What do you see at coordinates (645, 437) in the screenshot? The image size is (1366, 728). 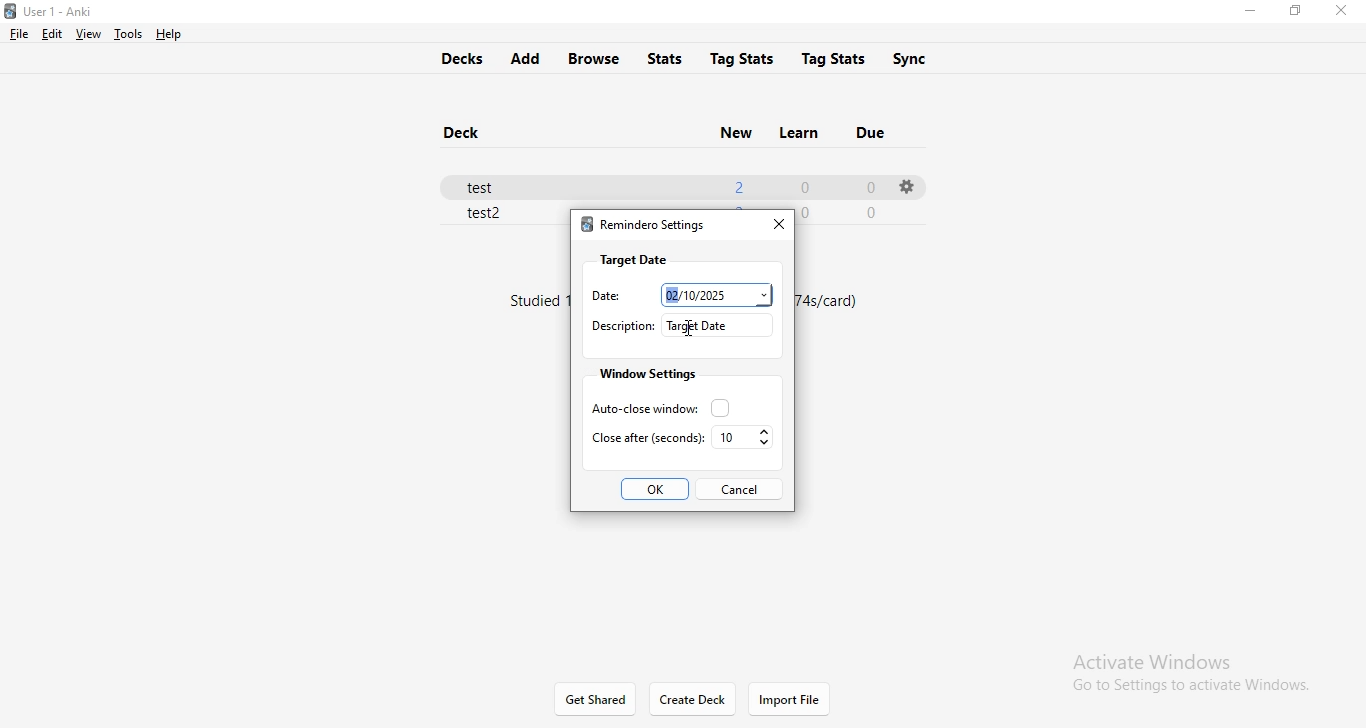 I see `close after seconds` at bounding box center [645, 437].